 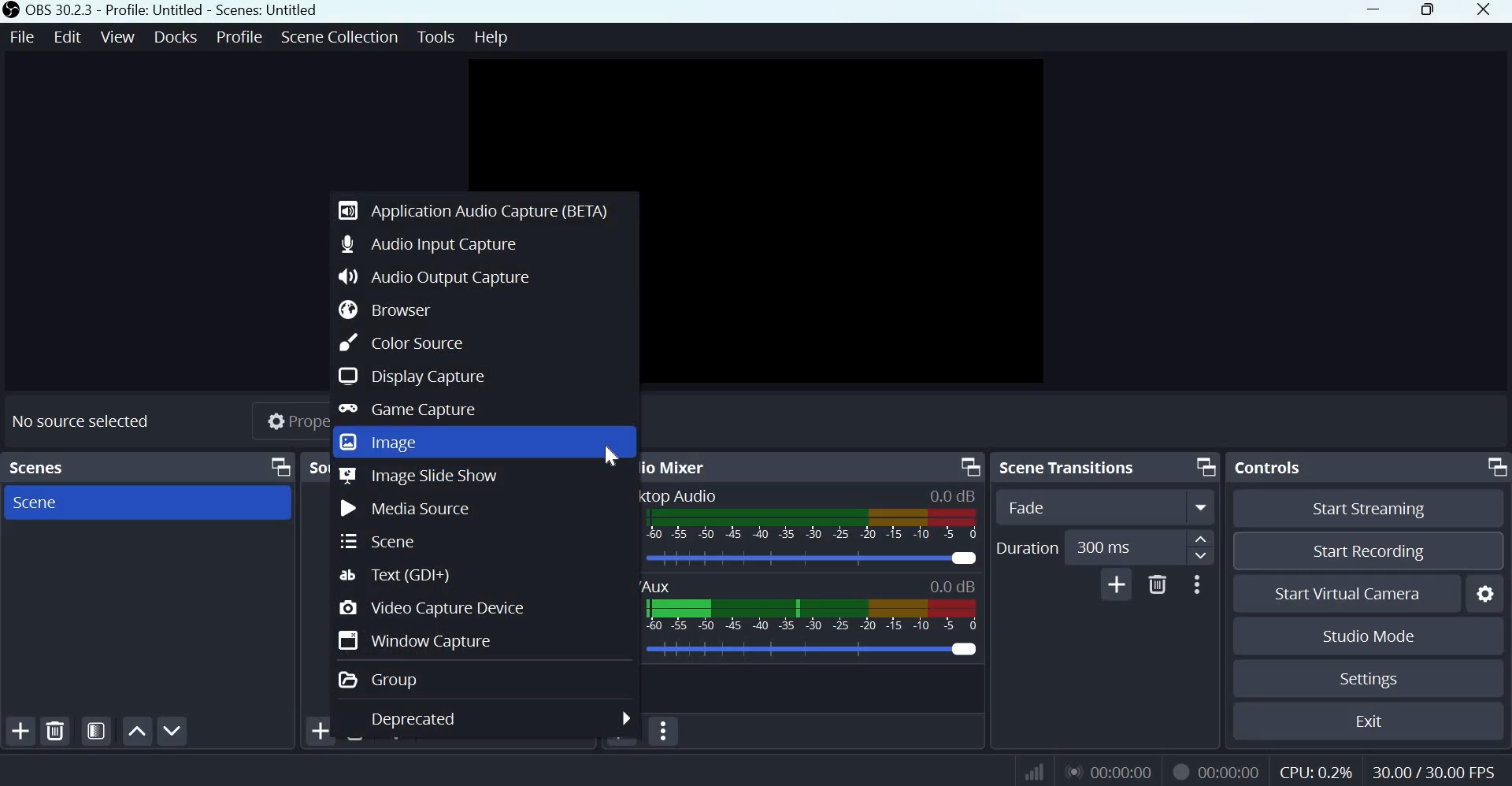 What do you see at coordinates (435, 607) in the screenshot?
I see `Video Capture Device` at bounding box center [435, 607].